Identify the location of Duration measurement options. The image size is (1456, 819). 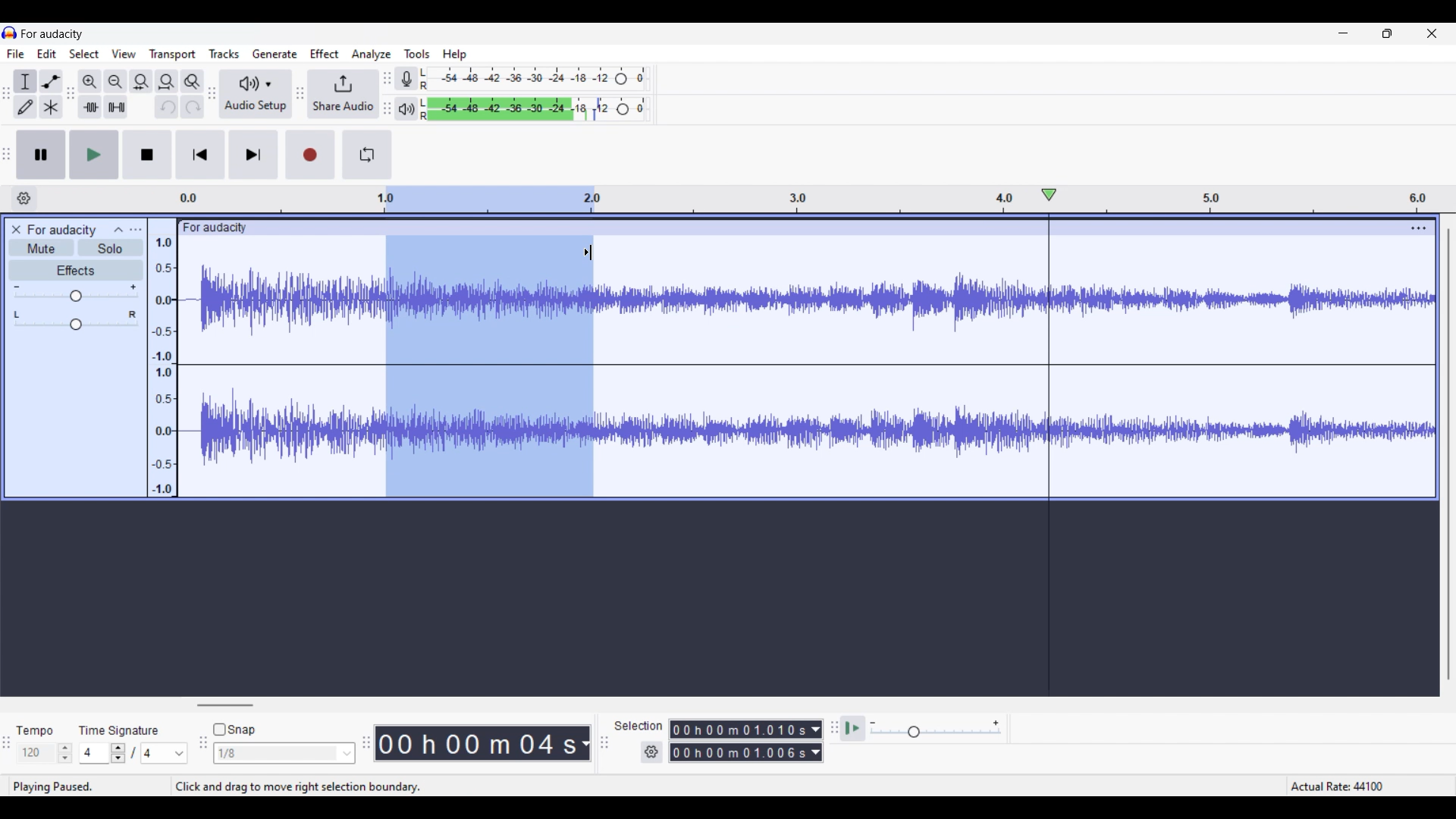
(585, 743).